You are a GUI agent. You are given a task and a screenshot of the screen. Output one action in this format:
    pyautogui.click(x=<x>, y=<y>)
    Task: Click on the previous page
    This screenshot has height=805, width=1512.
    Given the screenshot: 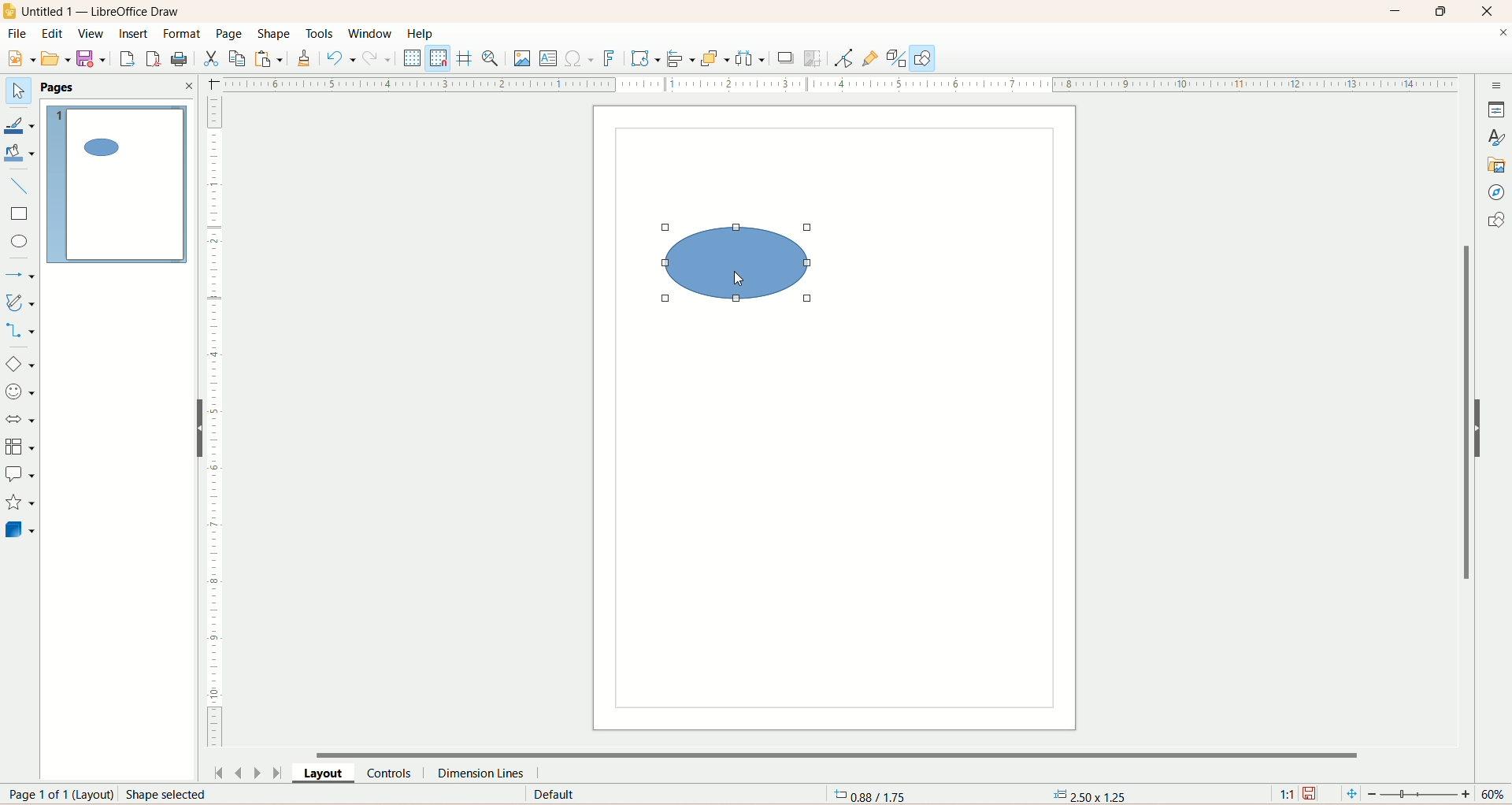 What is the action you would take?
    pyautogui.click(x=239, y=772)
    